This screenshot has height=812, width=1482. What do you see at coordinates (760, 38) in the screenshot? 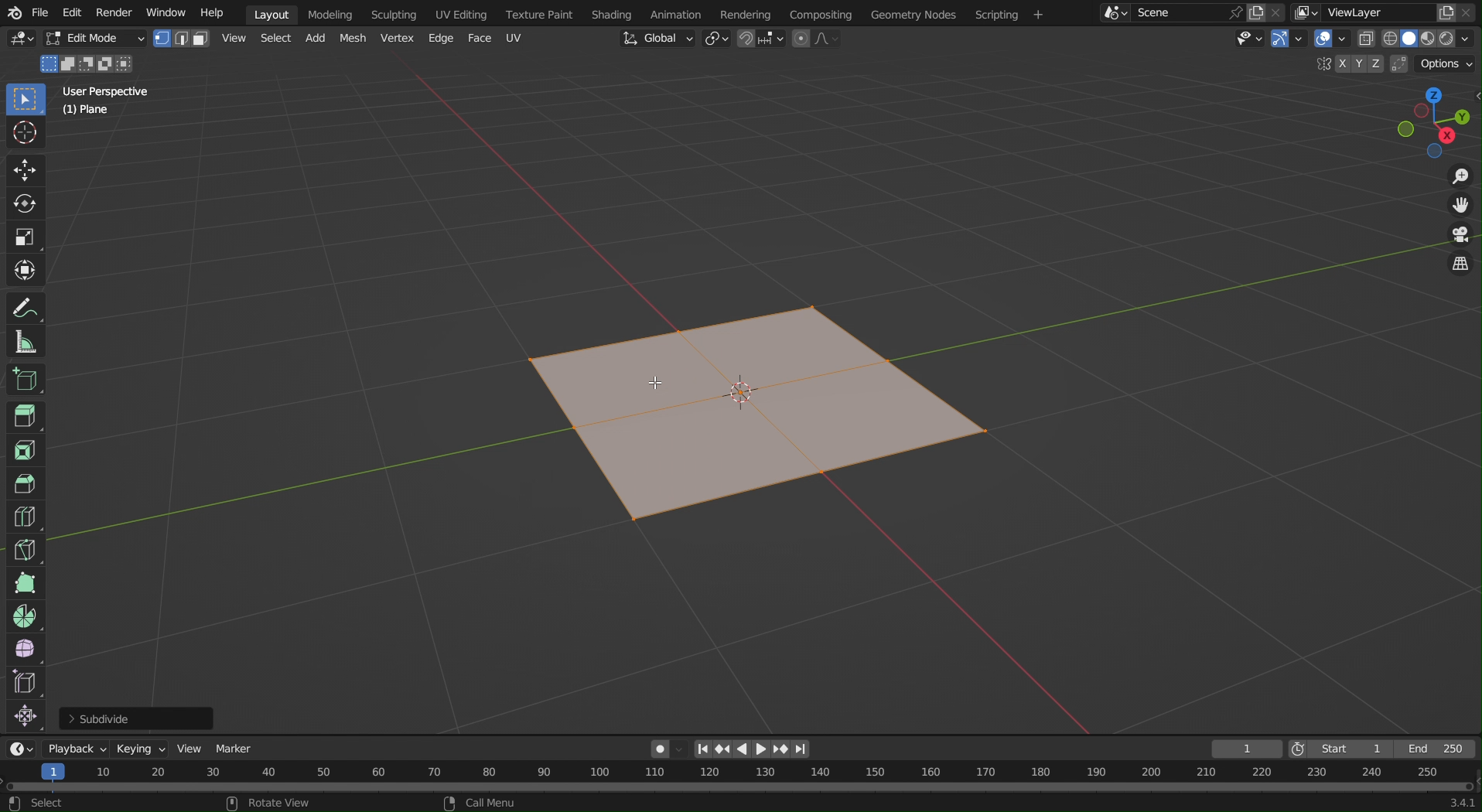
I see `Snapping` at bounding box center [760, 38].